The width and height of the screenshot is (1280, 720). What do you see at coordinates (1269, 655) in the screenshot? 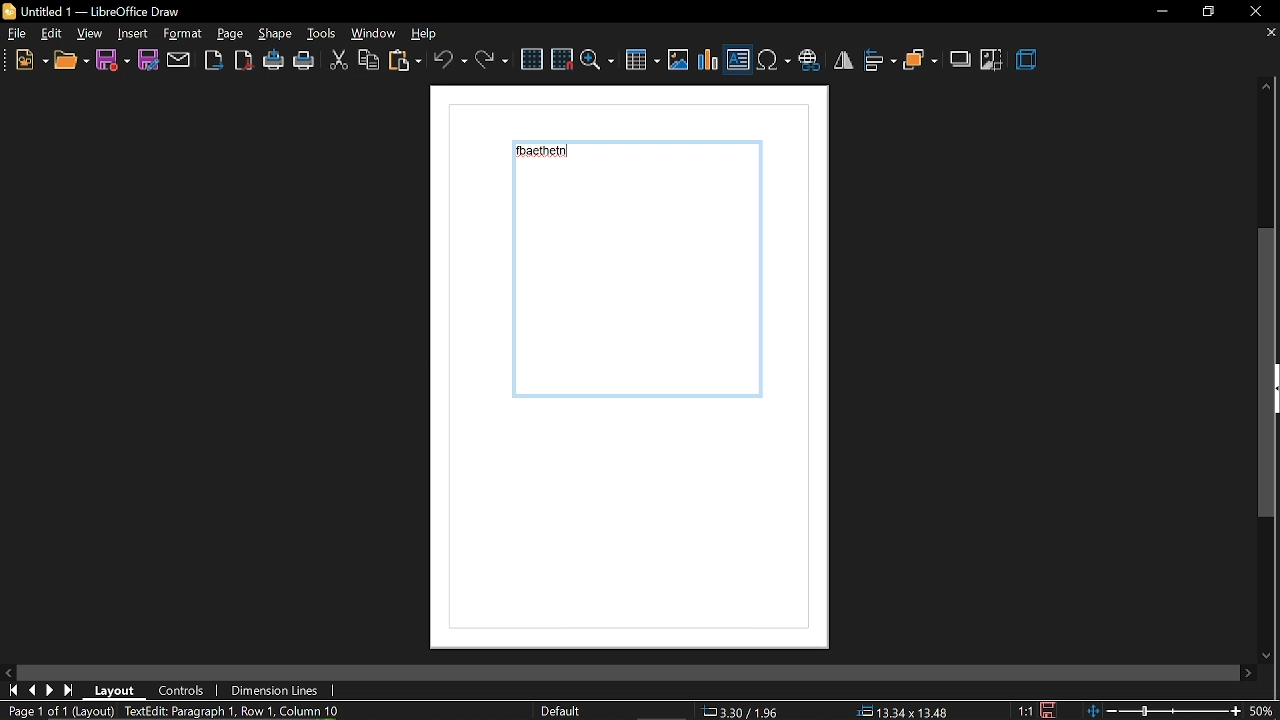
I see `Move down` at bounding box center [1269, 655].